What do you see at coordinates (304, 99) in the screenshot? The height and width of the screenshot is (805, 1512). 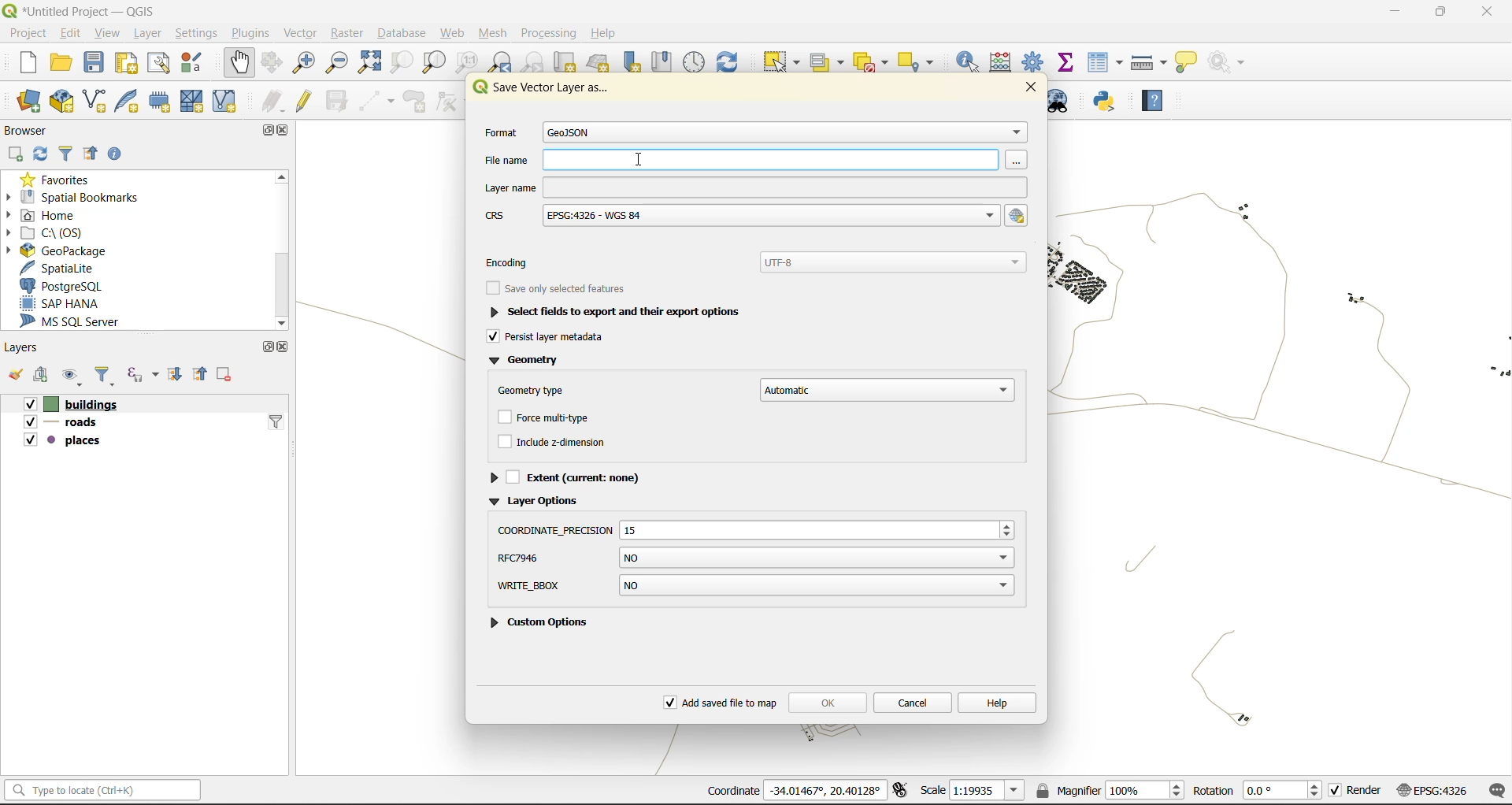 I see `toggle edits` at bounding box center [304, 99].